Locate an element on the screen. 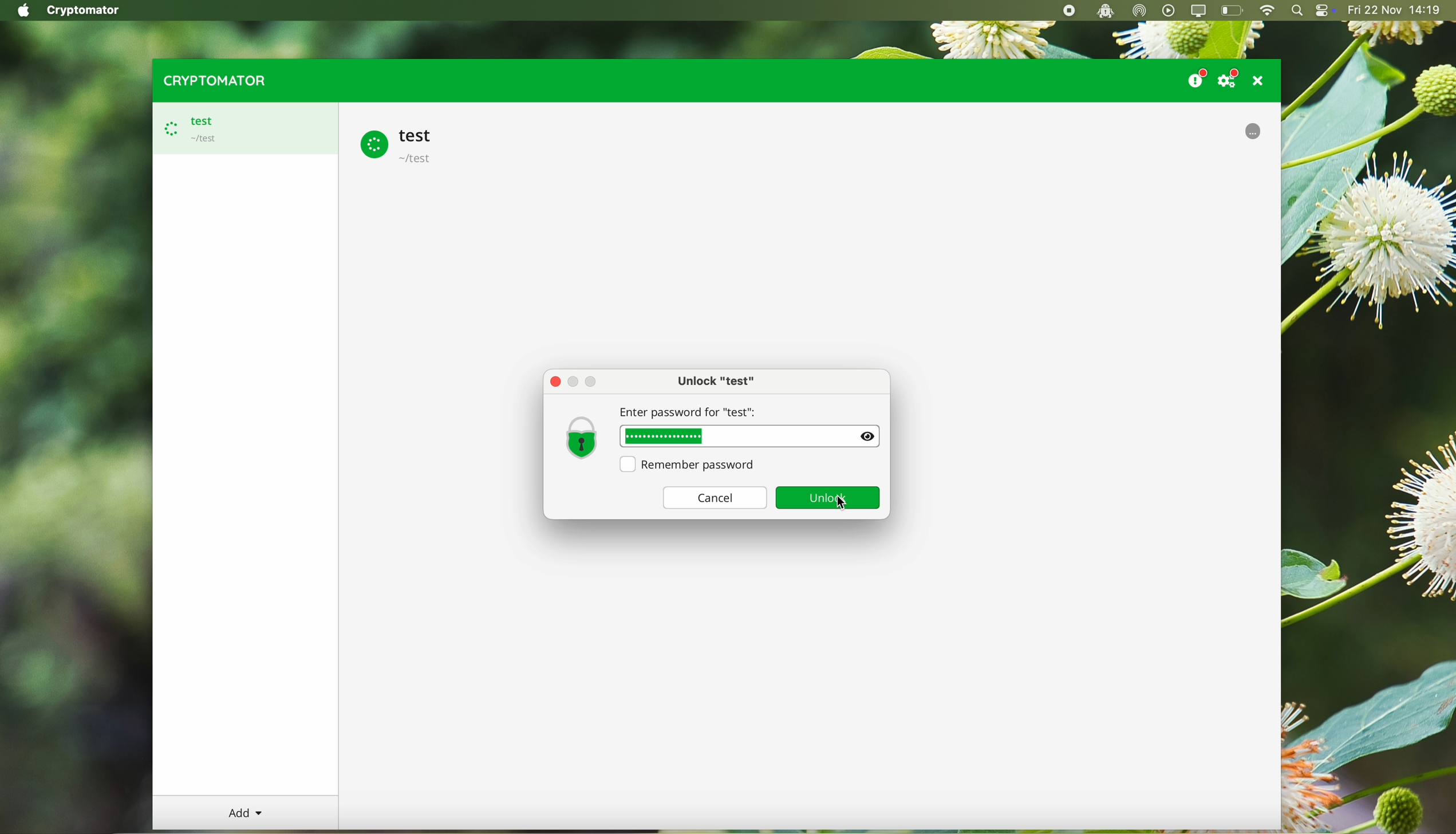 The image size is (1456, 834). screen is located at coordinates (1200, 11).